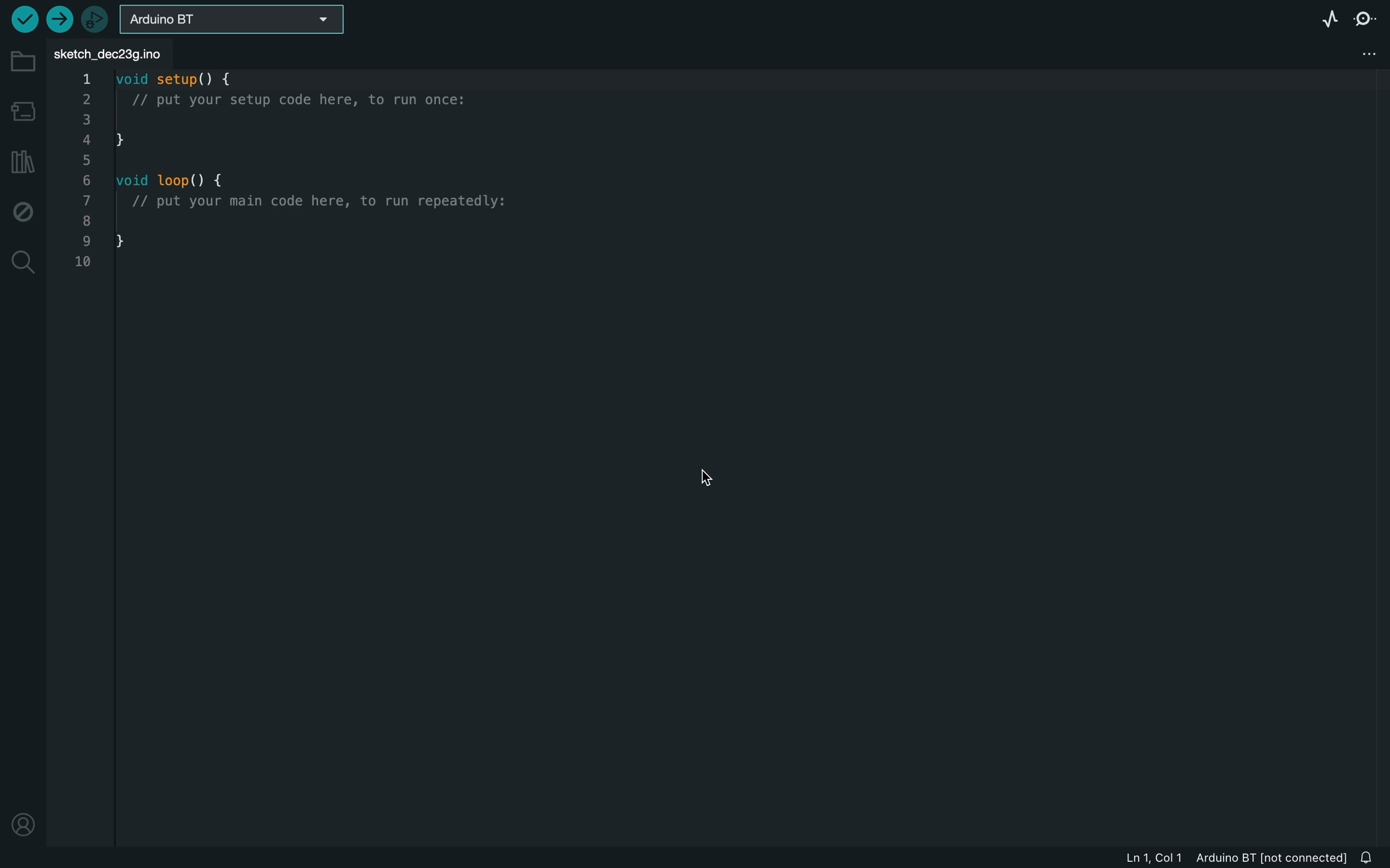 This screenshot has height=868, width=1390. I want to click on cursor, so click(711, 489).